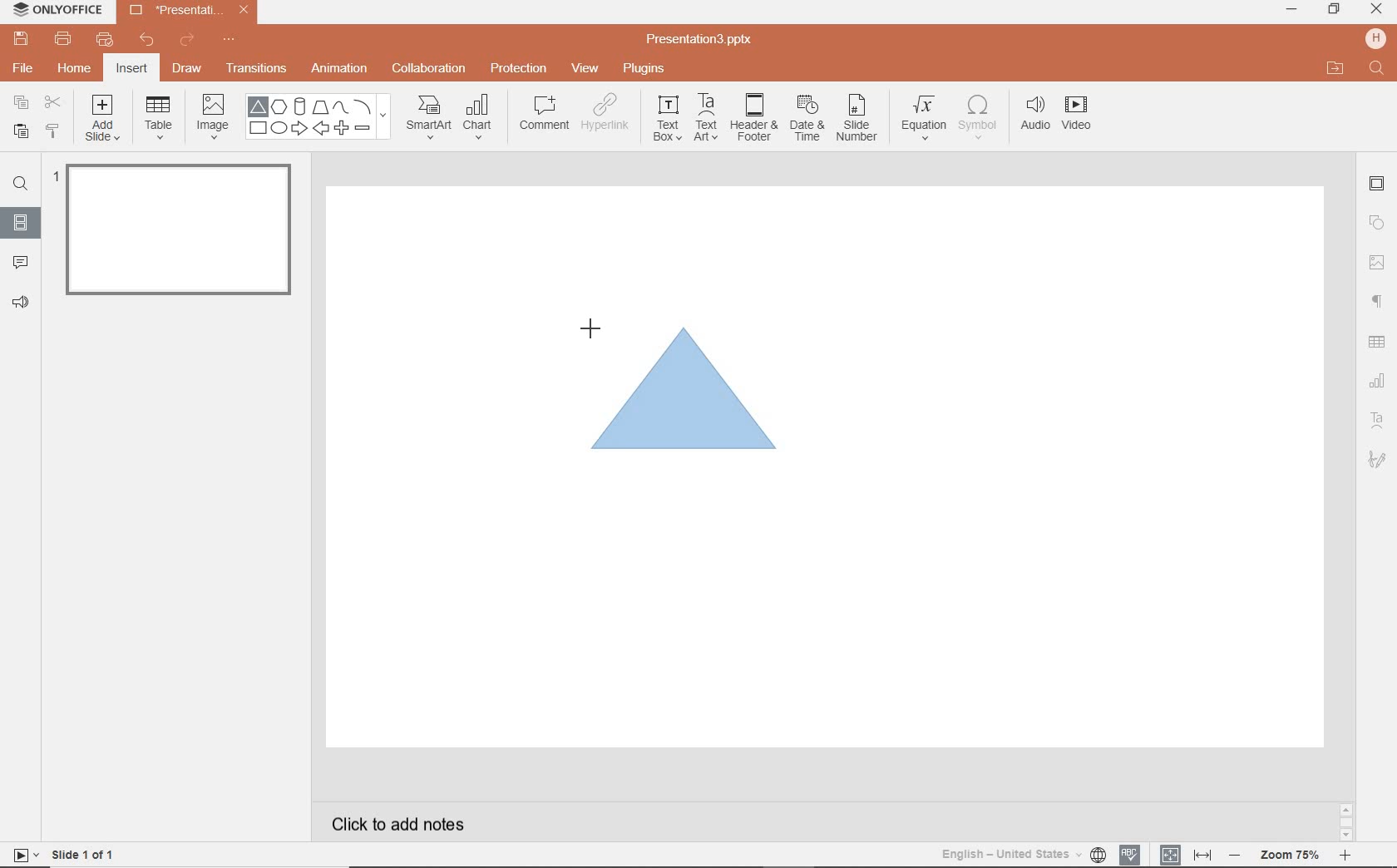  I want to click on EQUATION, so click(925, 121).